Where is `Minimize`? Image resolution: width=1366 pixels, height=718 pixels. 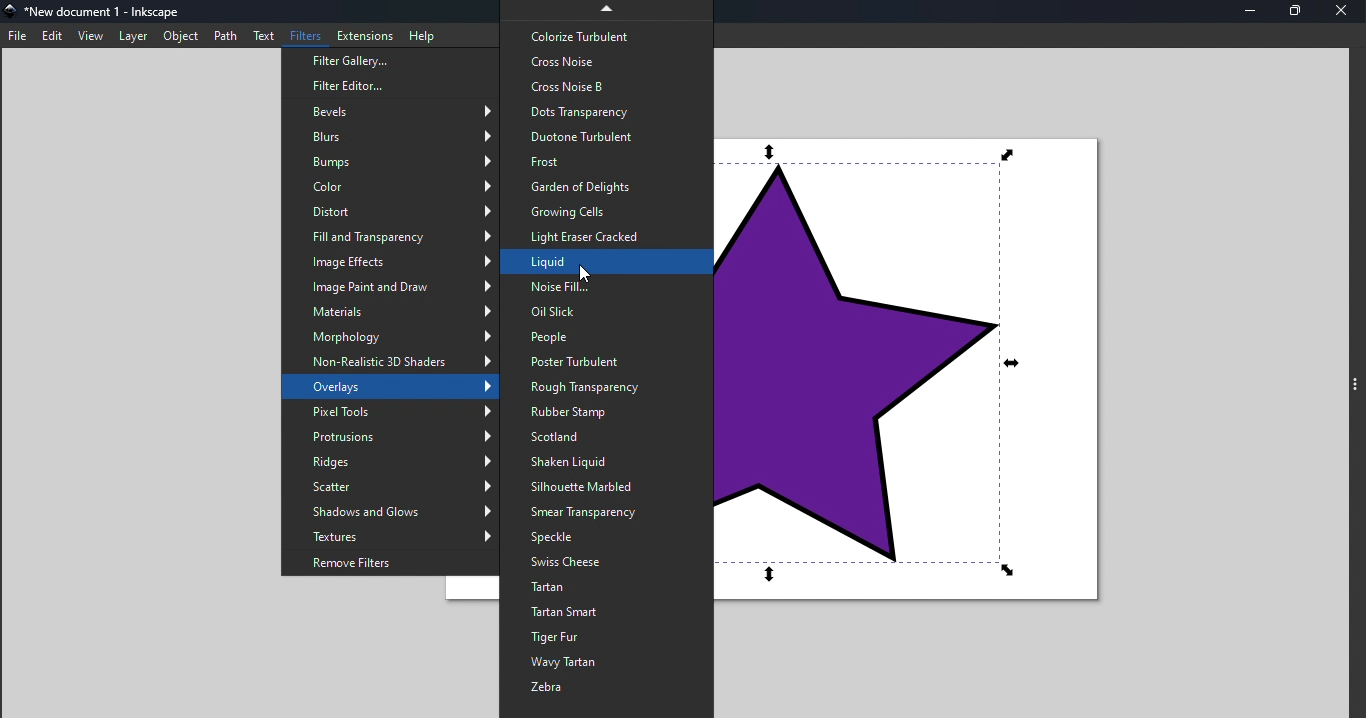 Minimize is located at coordinates (1257, 13).